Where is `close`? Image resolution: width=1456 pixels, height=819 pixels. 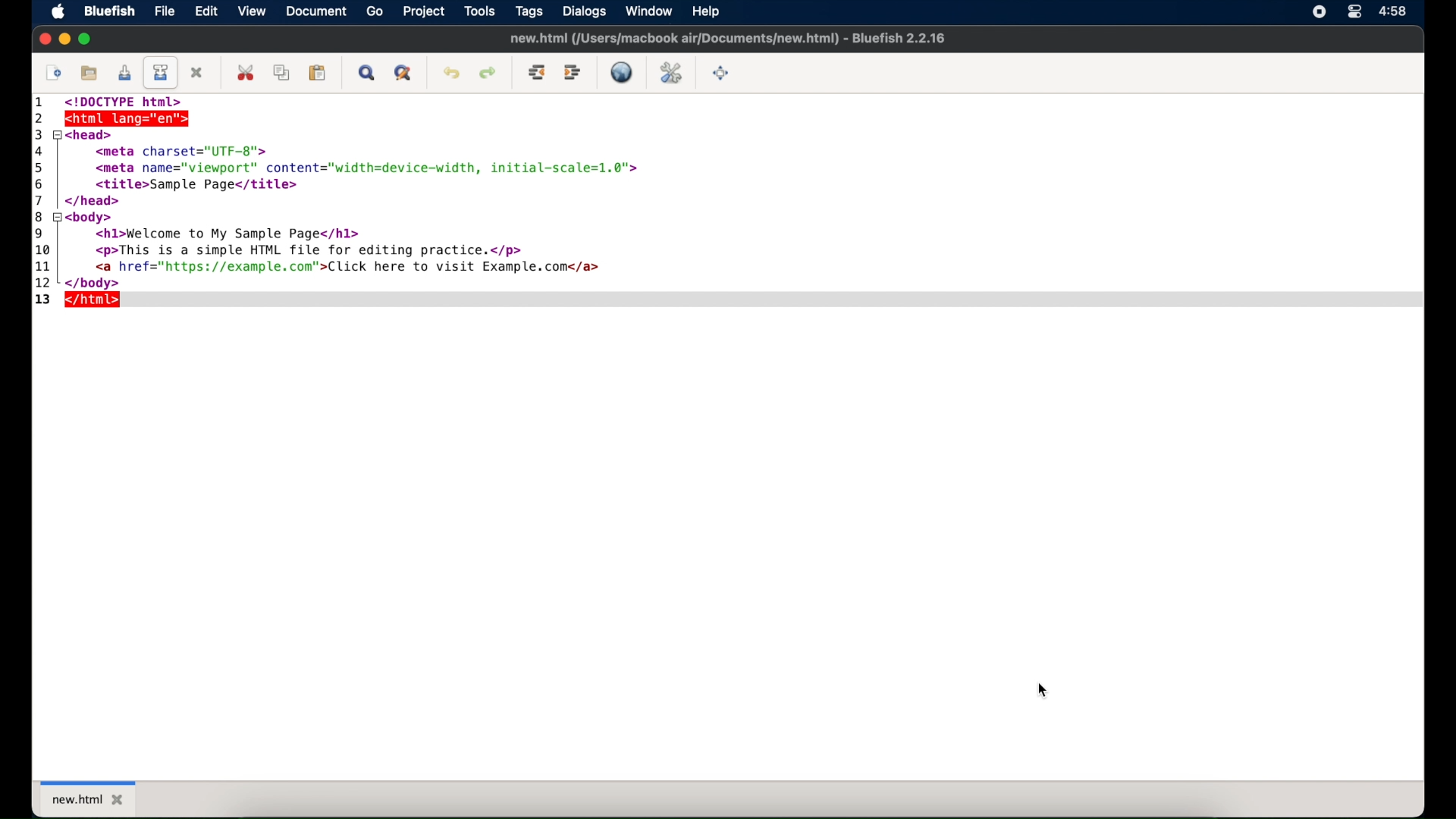
close is located at coordinates (44, 39).